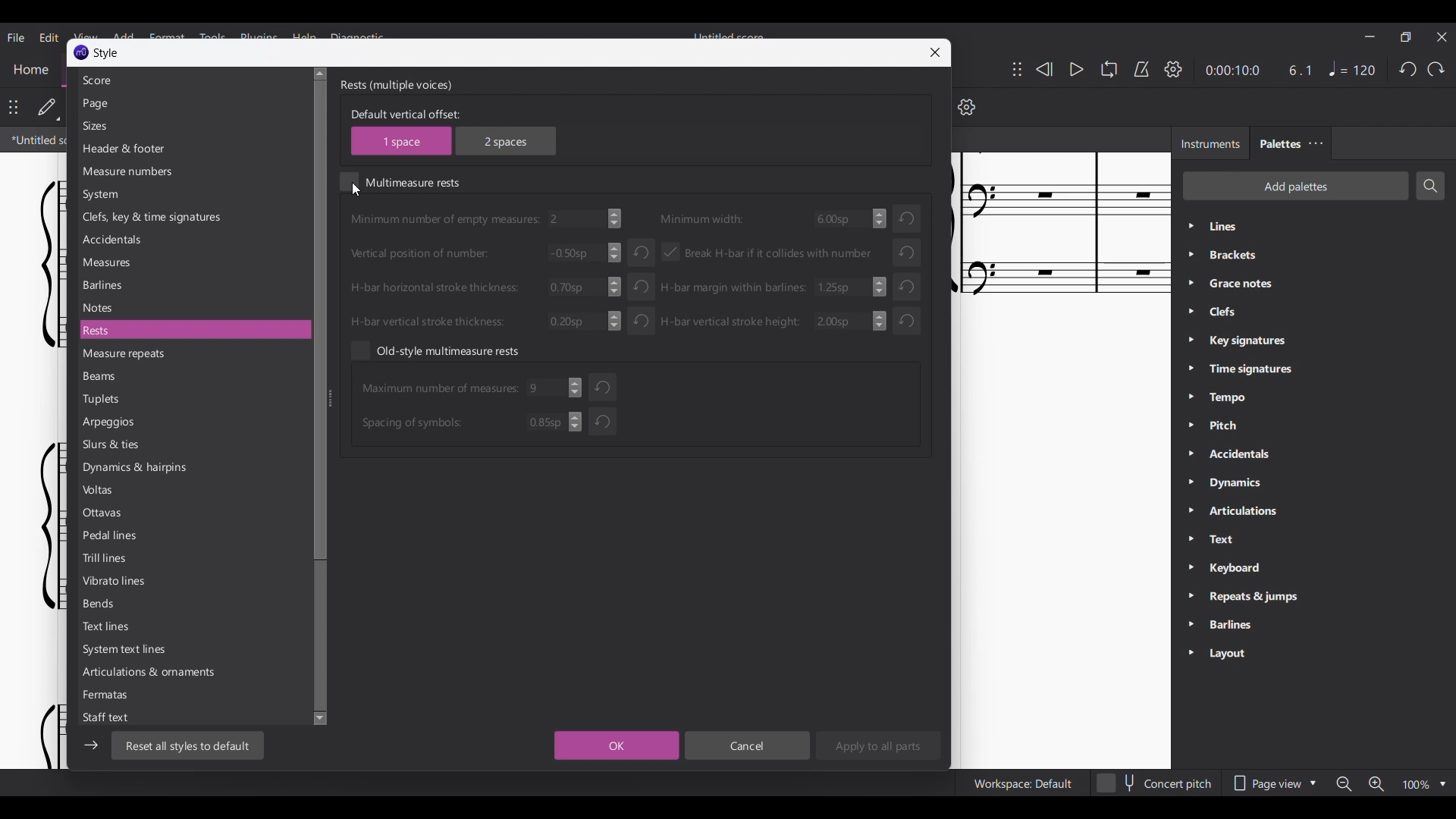  Describe the element at coordinates (476, 287) in the screenshot. I see `Input H-bar horizontal stroke thickness` at that location.